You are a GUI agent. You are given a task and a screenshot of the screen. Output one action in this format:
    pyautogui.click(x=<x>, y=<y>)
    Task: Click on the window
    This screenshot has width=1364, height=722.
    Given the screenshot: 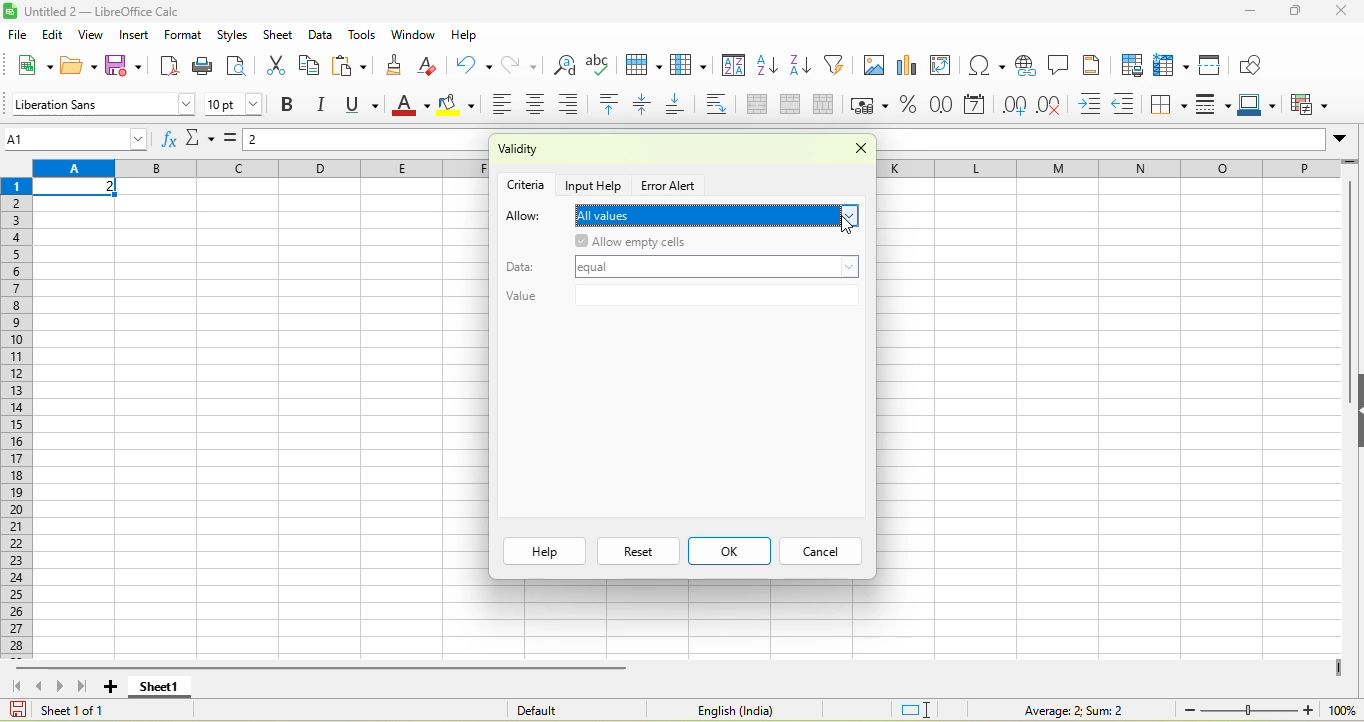 What is the action you would take?
    pyautogui.click(x=412, y=36)
    